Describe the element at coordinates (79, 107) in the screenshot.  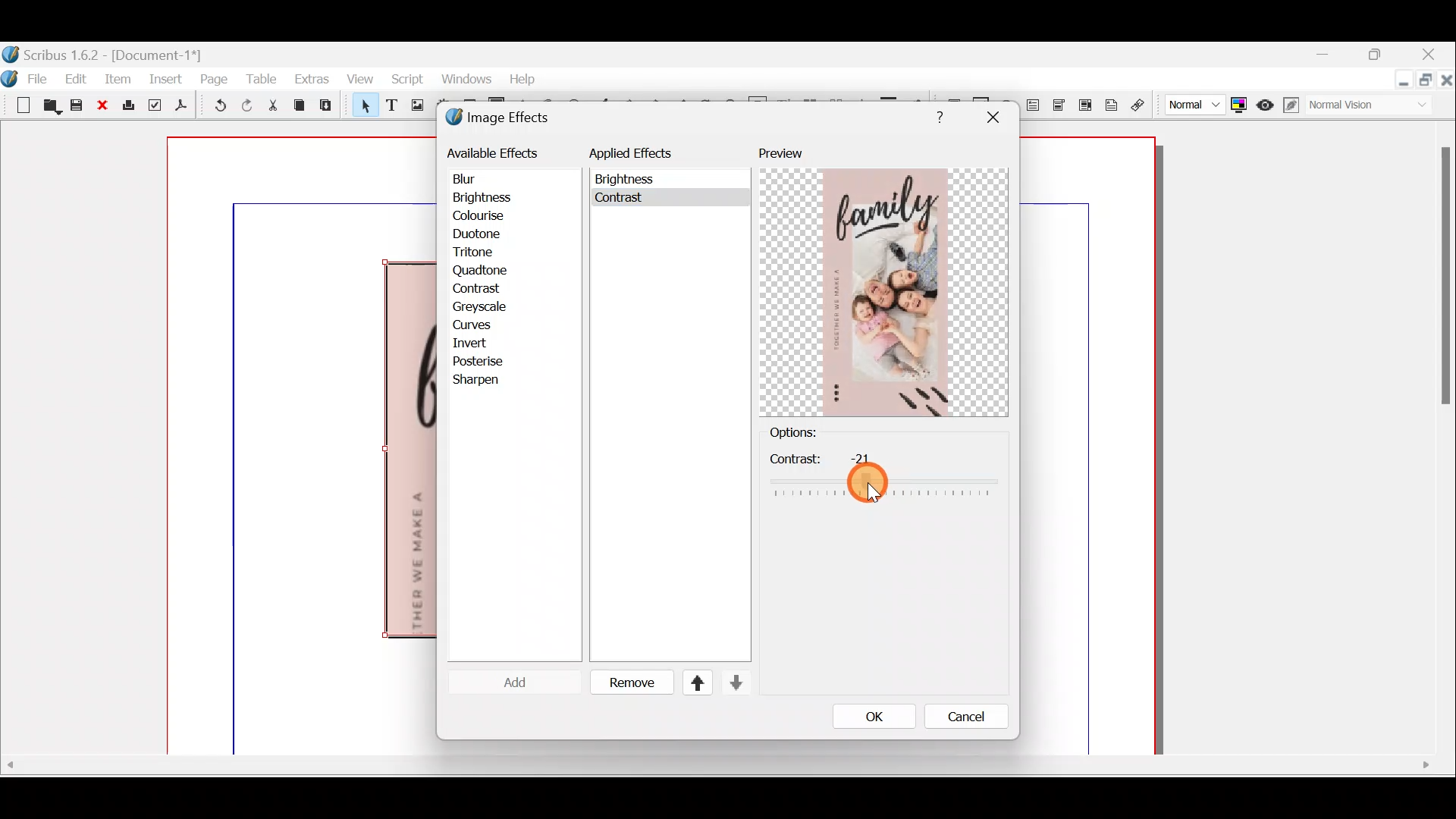
I see `Save` at that location.